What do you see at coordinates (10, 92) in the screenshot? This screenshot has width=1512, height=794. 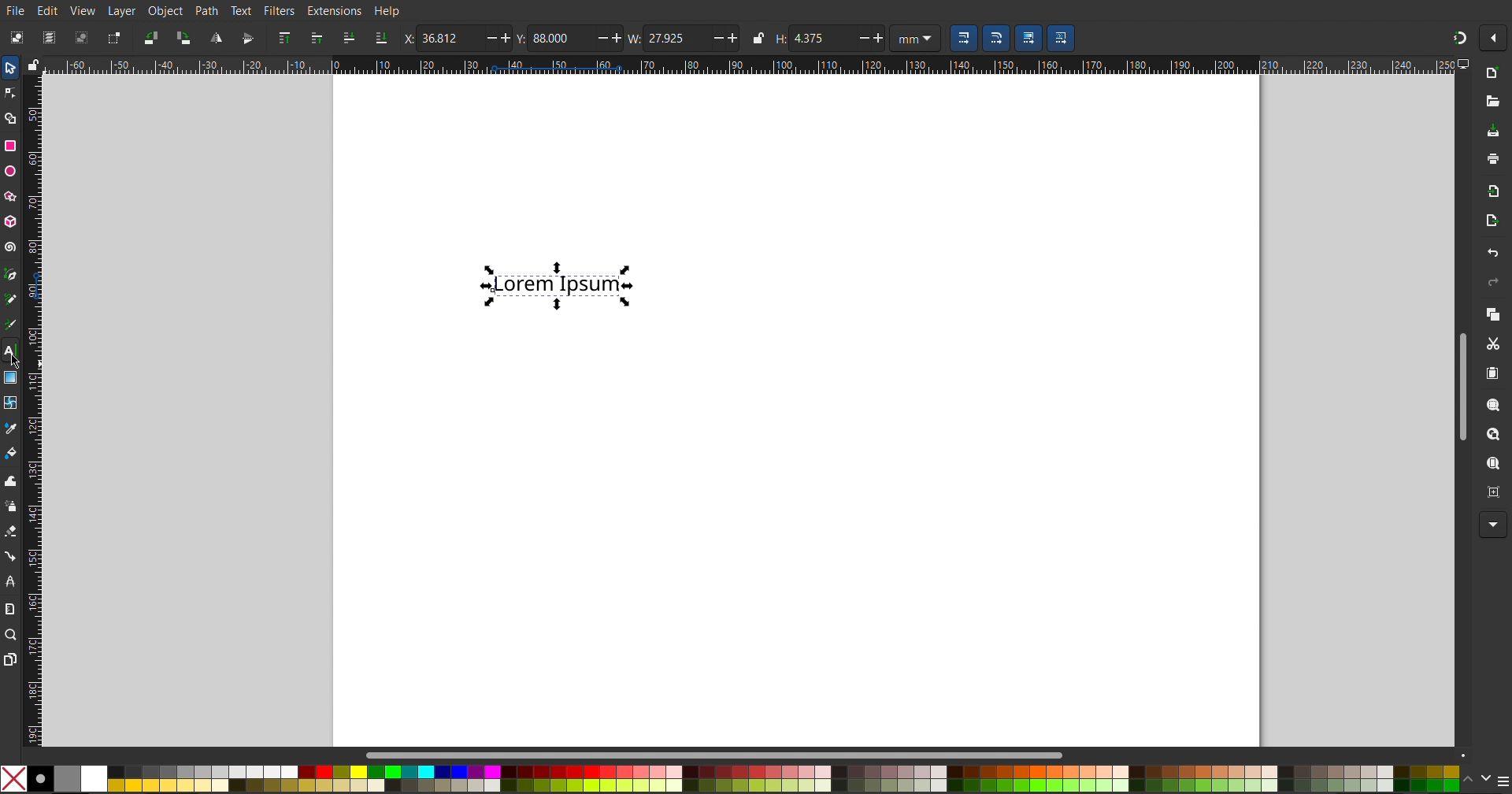 I see `Node Tools` at bounding box center [10, 92].